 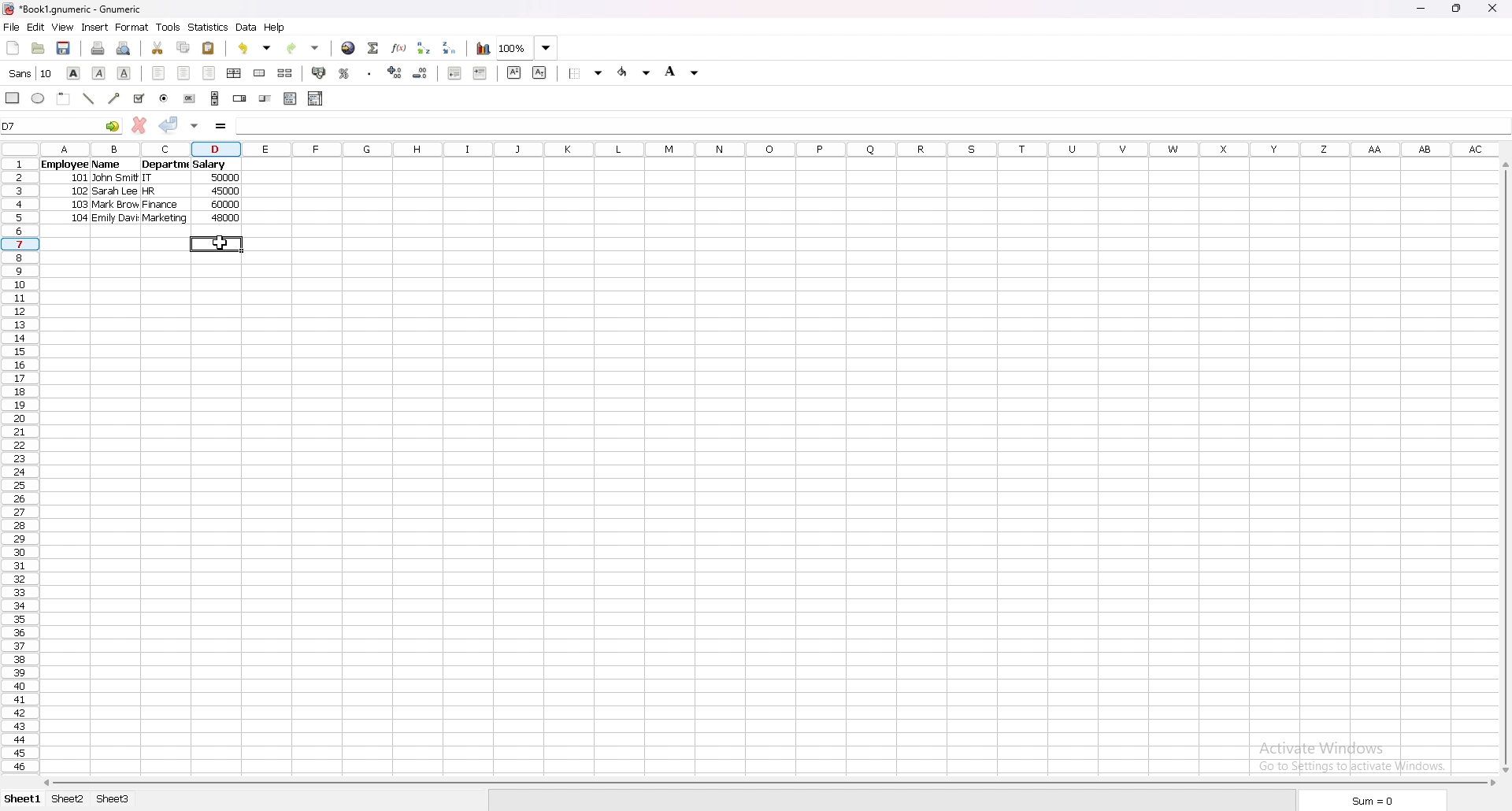 What do you see at coordinates (541, 73) in the screenshot?
I see `subscript` at bounding box center [541, 73].